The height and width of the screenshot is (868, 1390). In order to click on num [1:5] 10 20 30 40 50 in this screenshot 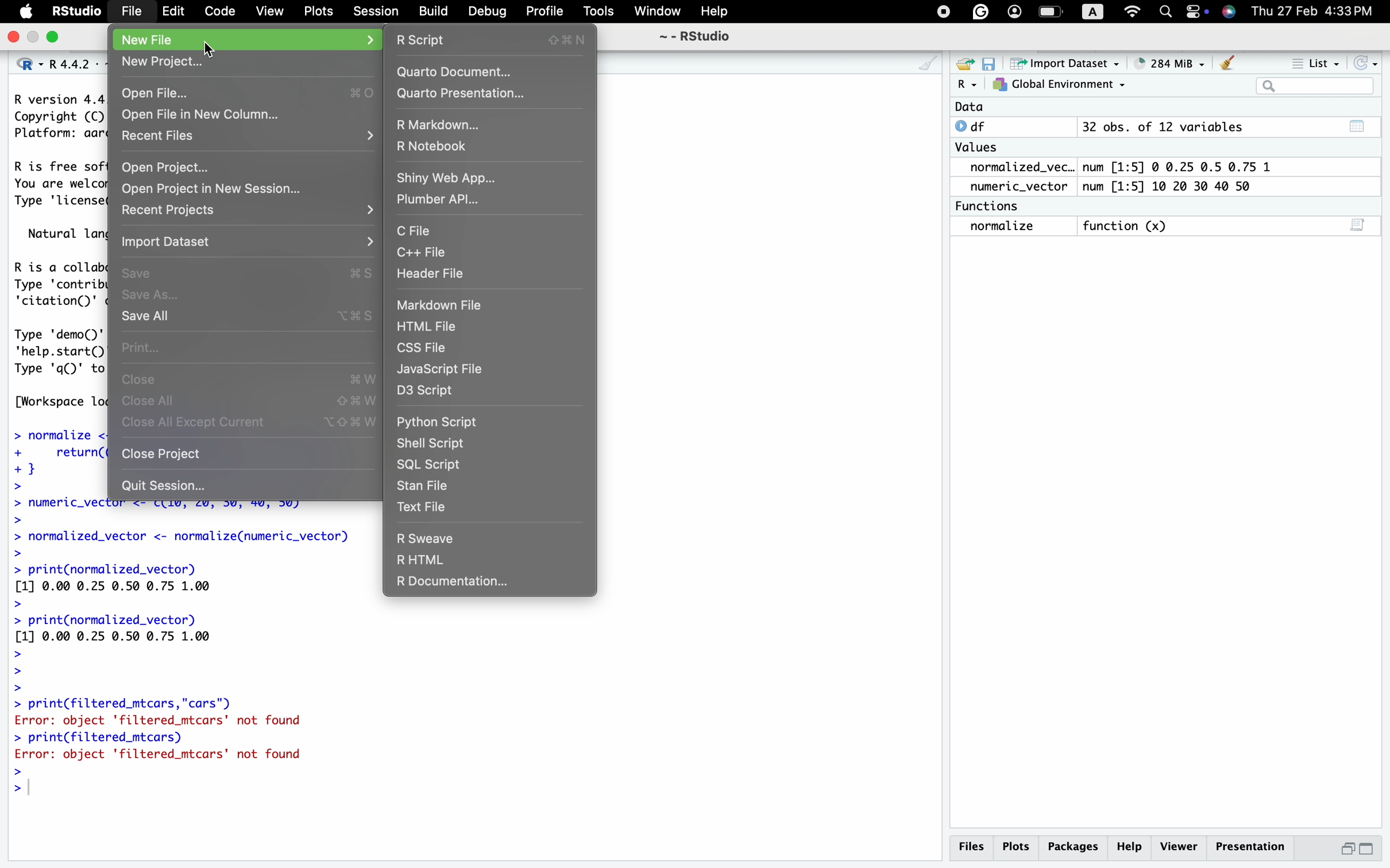, I will do `click(1178, 186)`.